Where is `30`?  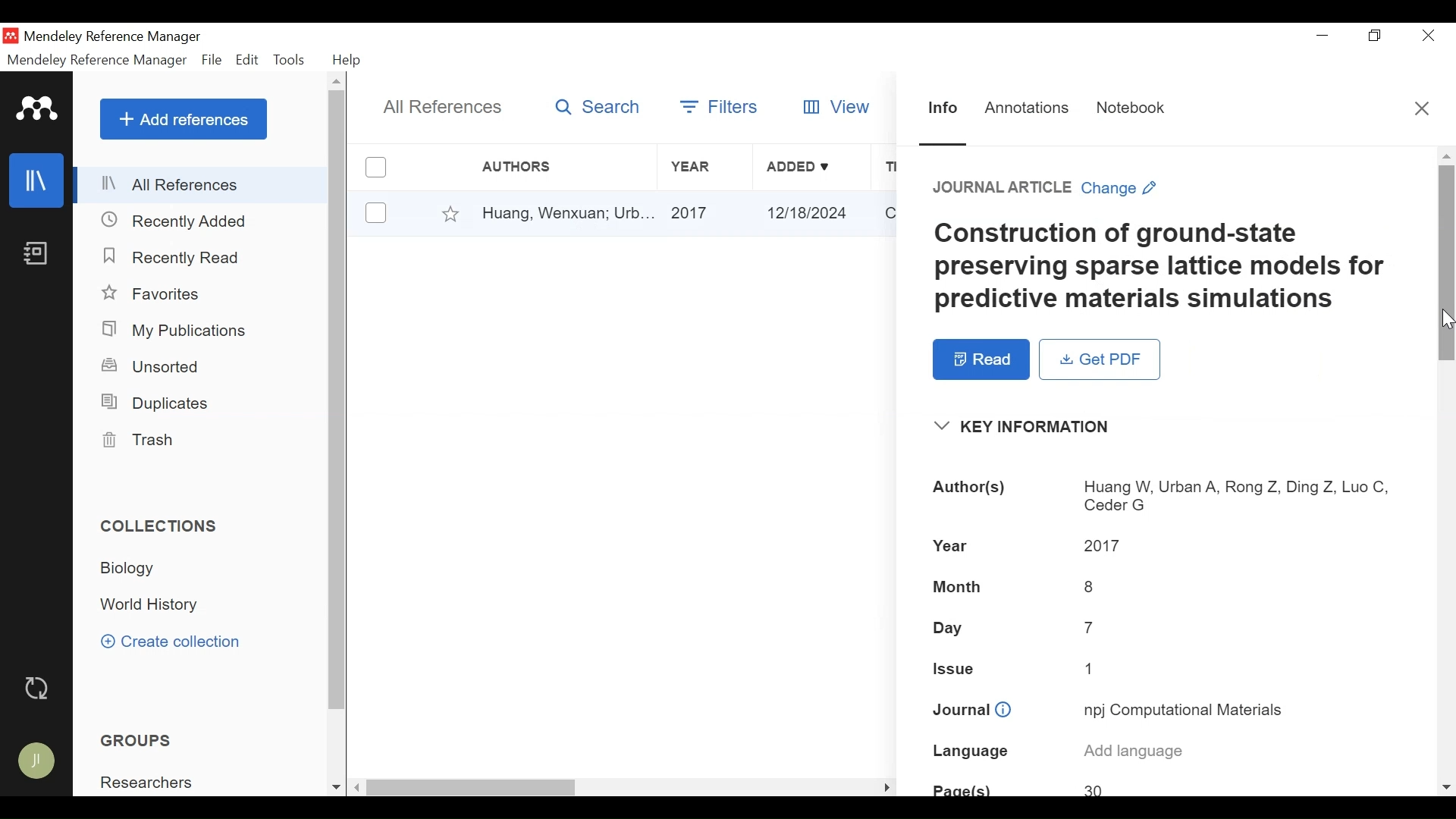
30 is located at coordinates (1097, 789).